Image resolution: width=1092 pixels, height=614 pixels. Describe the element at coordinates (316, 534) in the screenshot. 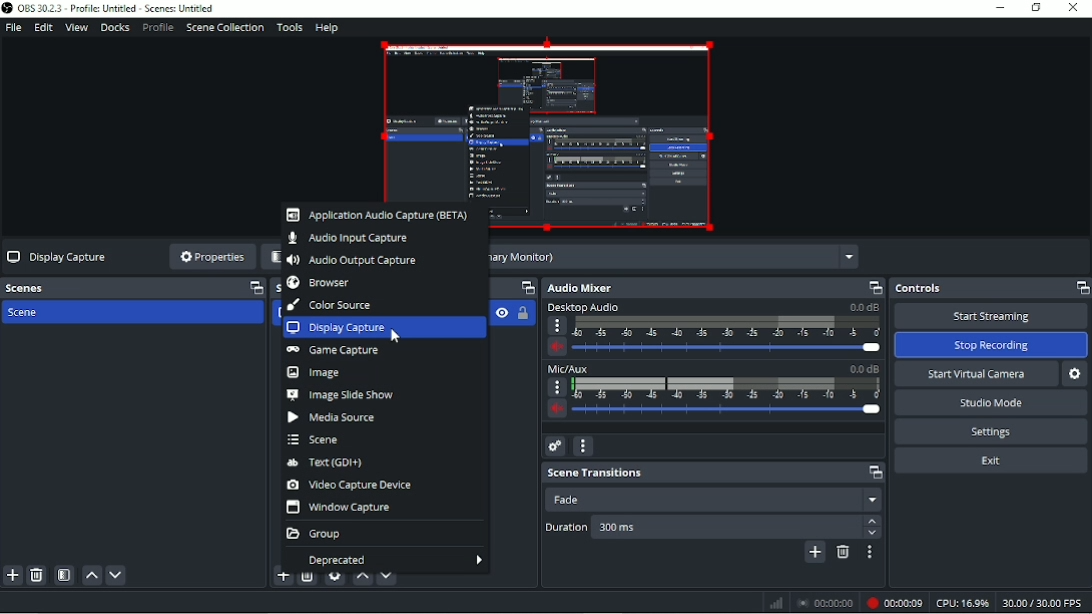

I see `Group` at that location.